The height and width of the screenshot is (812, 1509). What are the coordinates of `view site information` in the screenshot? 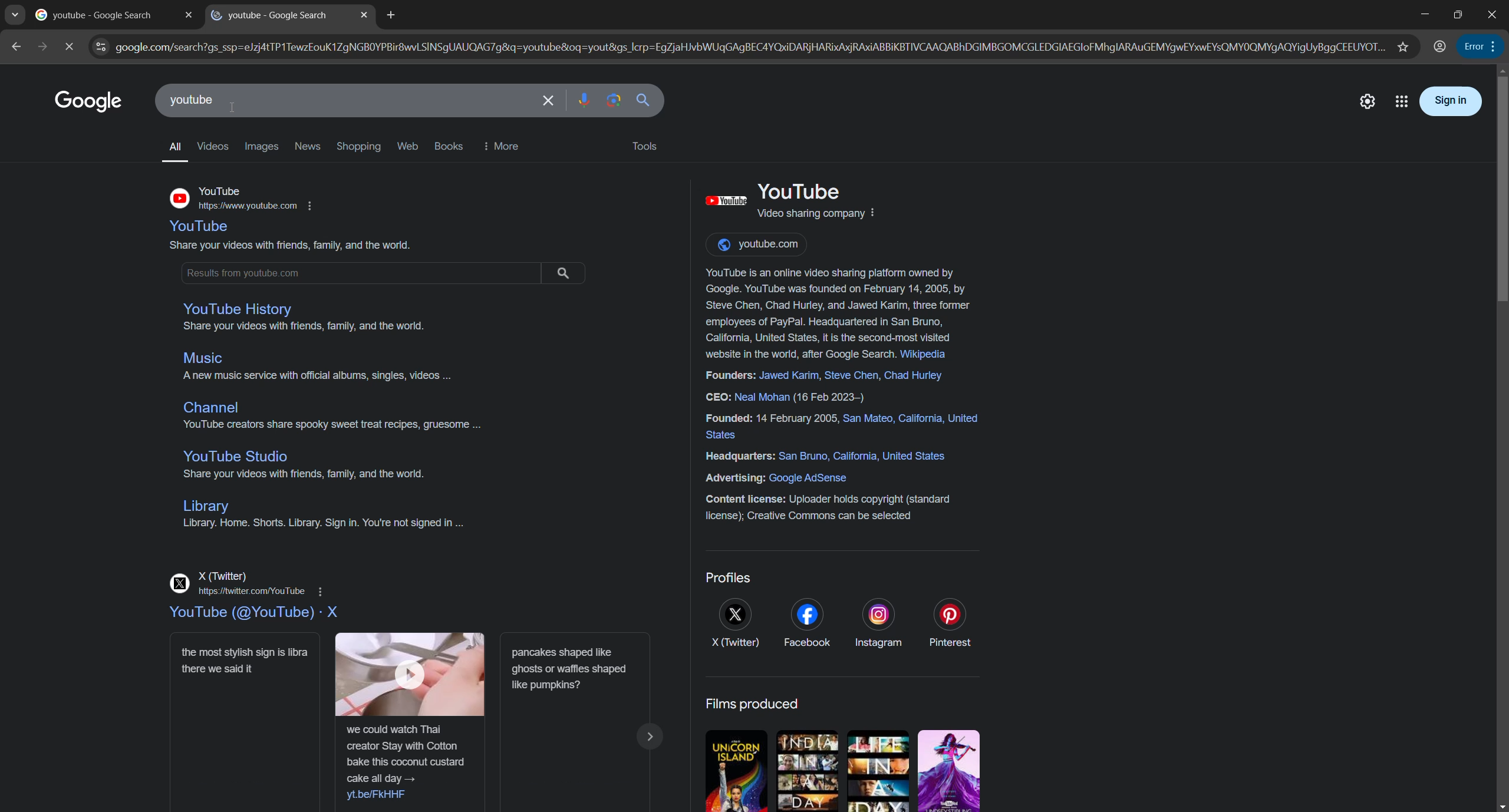 It's located at (103, 47).